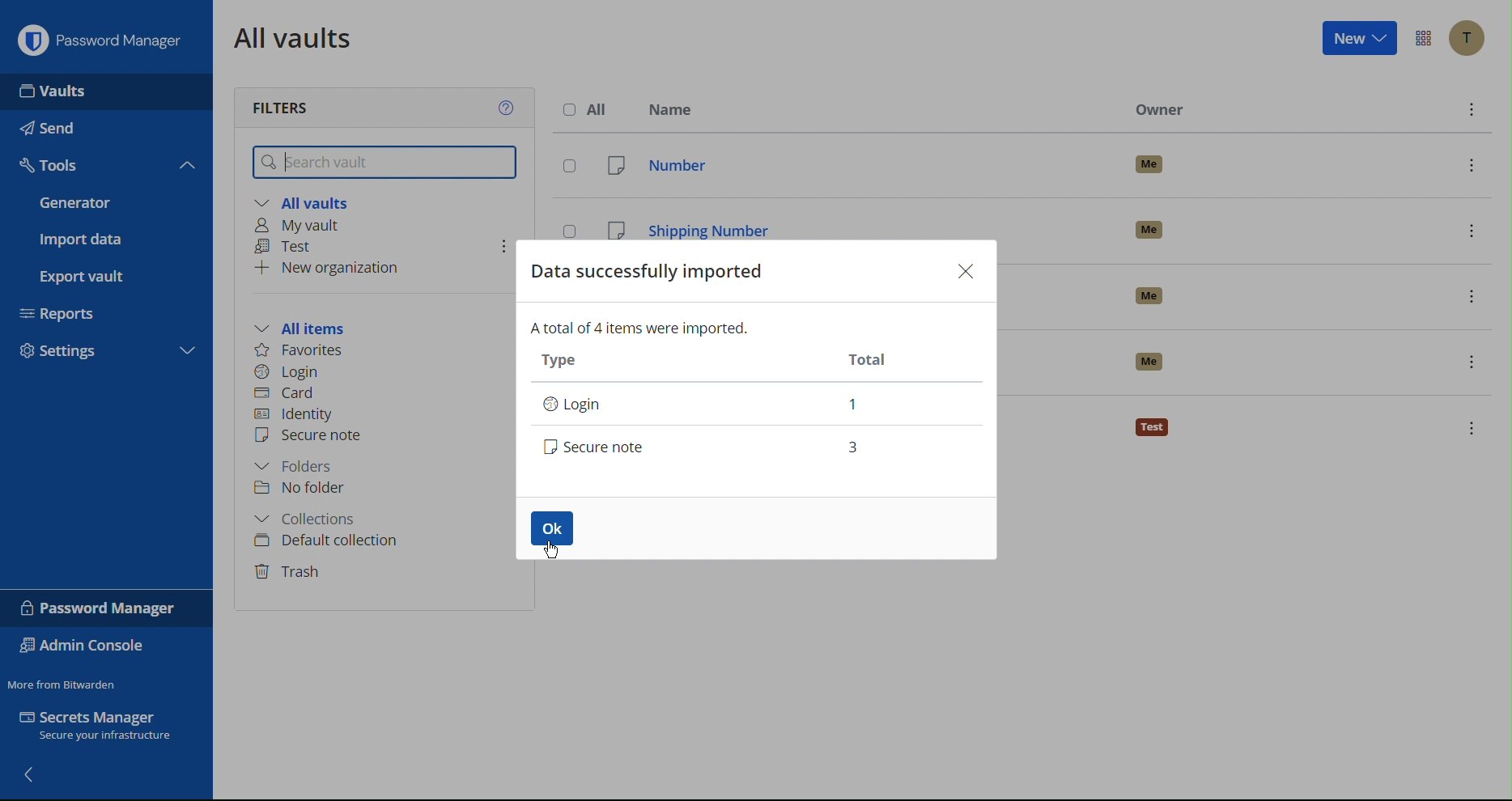 The image size is (1512, 801). Describe the element at coordinates (301, 225) in the screenshot. I see `My vault` at that location.